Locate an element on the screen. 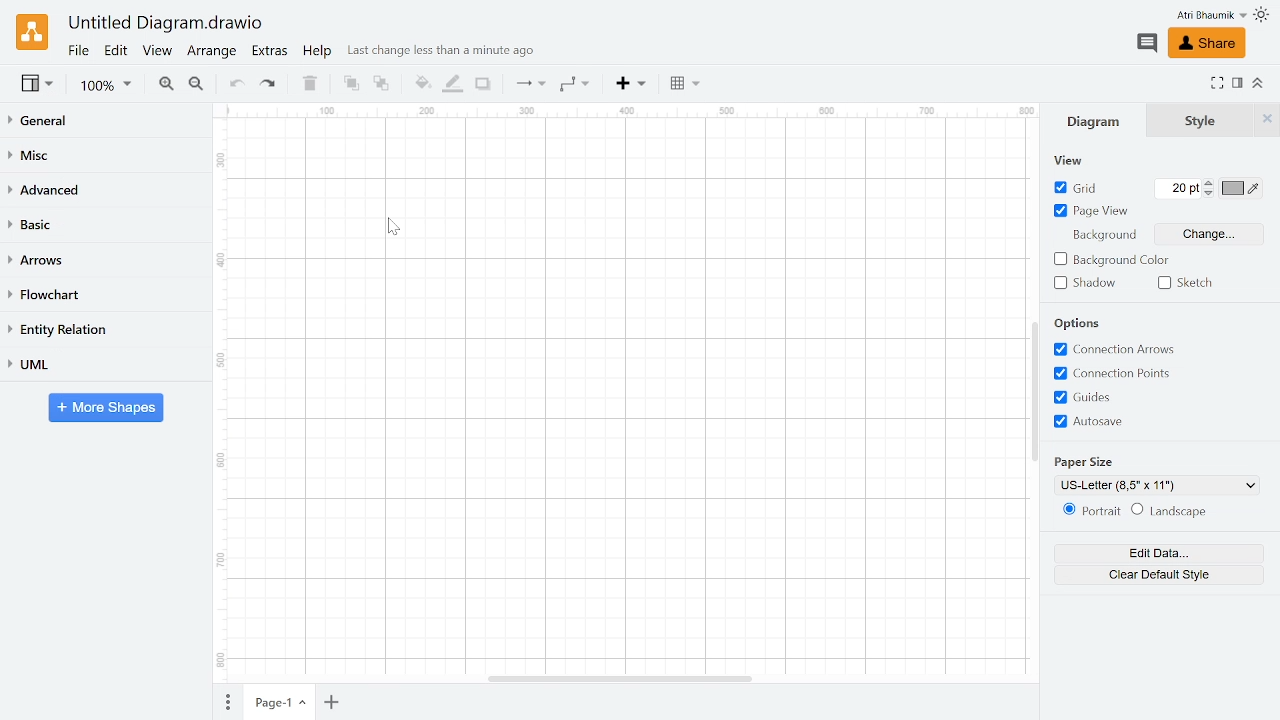 The image size is (1280, 720). Flowchart is located at coordinates (103, 294).